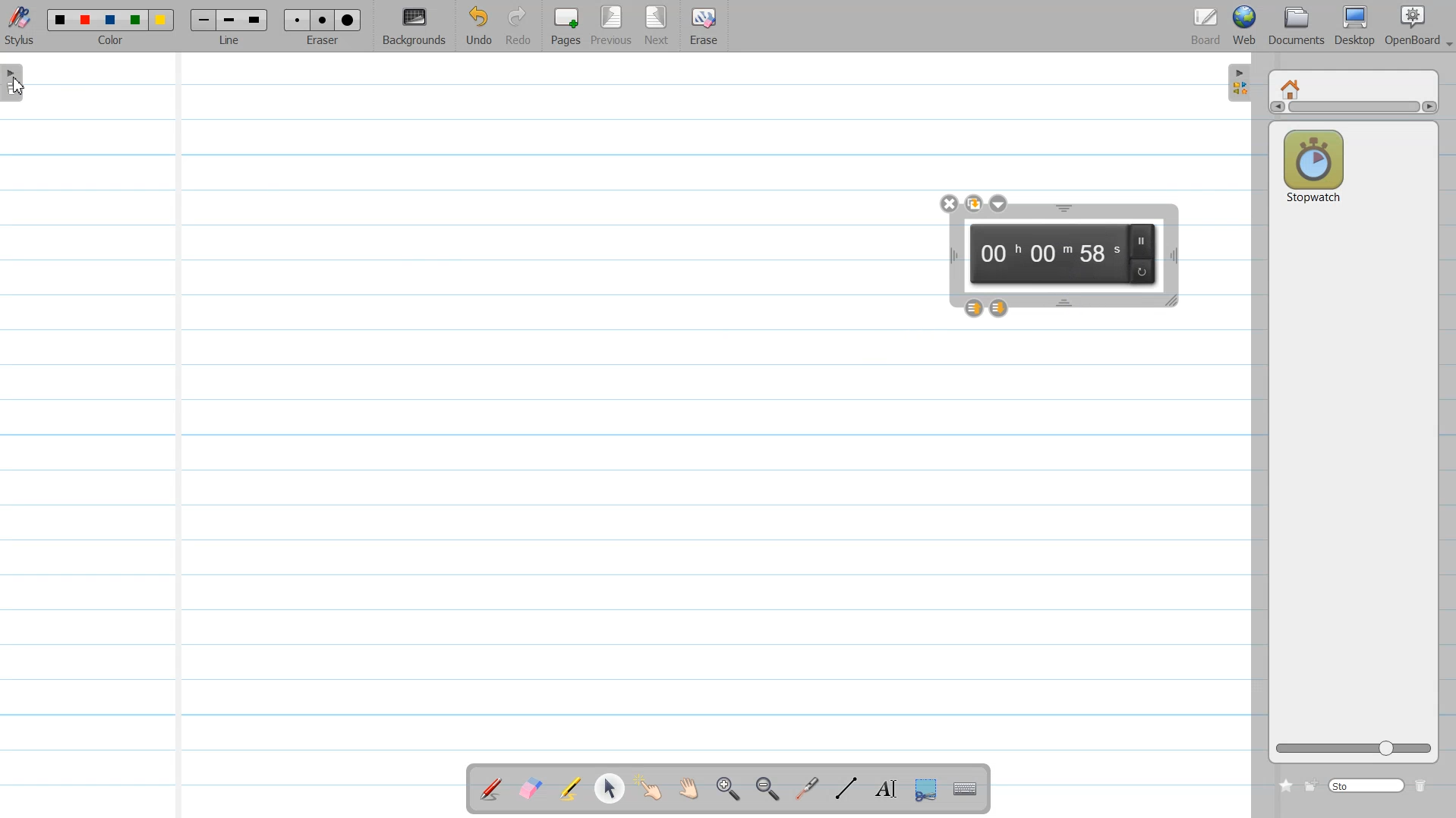 This screenshot has height=818, width=1456. Describe the element at coordinates (1297, 26) in the screenshot. I see `Document` at that location.